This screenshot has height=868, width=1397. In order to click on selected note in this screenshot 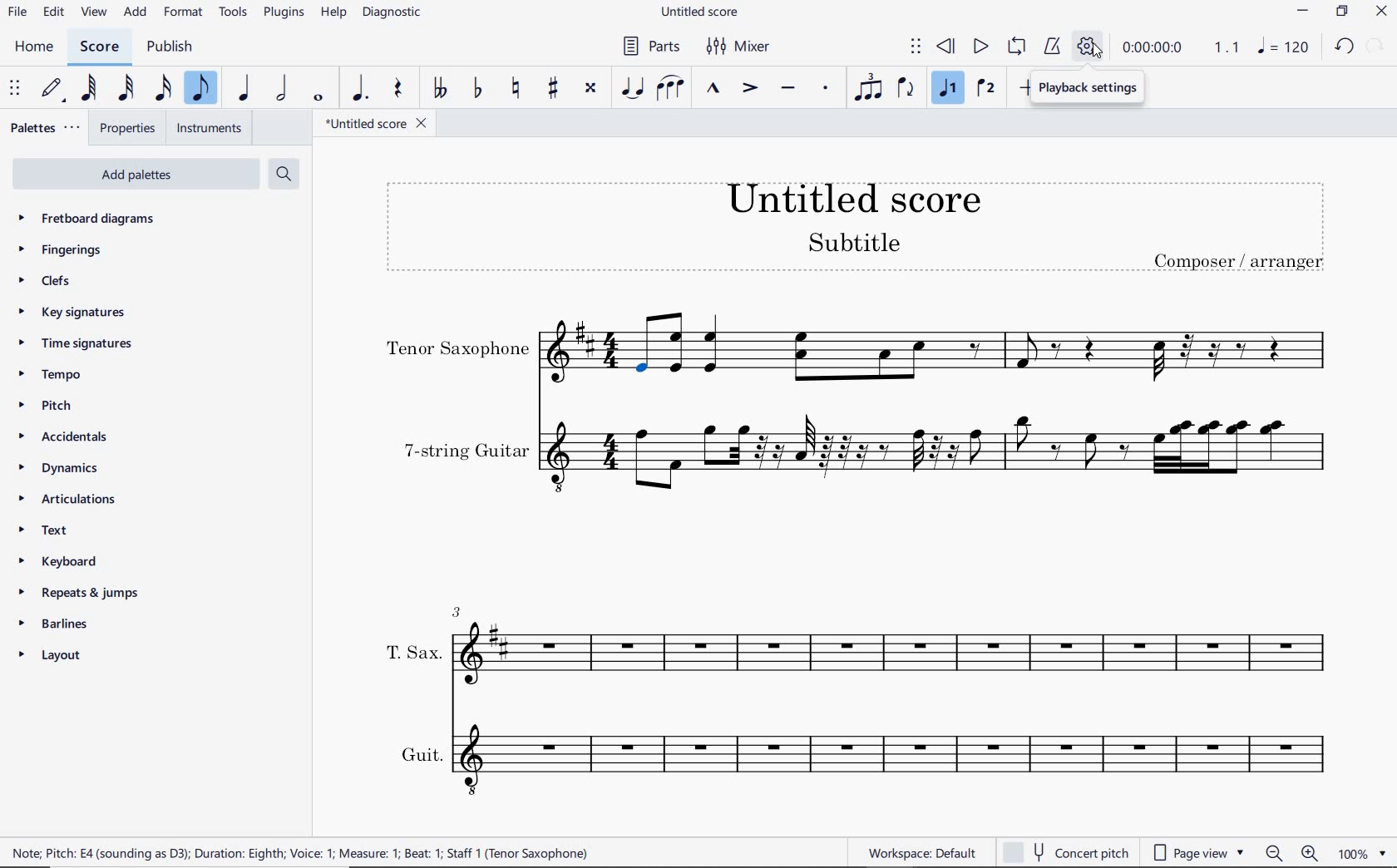, I will do `click(645, 374)`.